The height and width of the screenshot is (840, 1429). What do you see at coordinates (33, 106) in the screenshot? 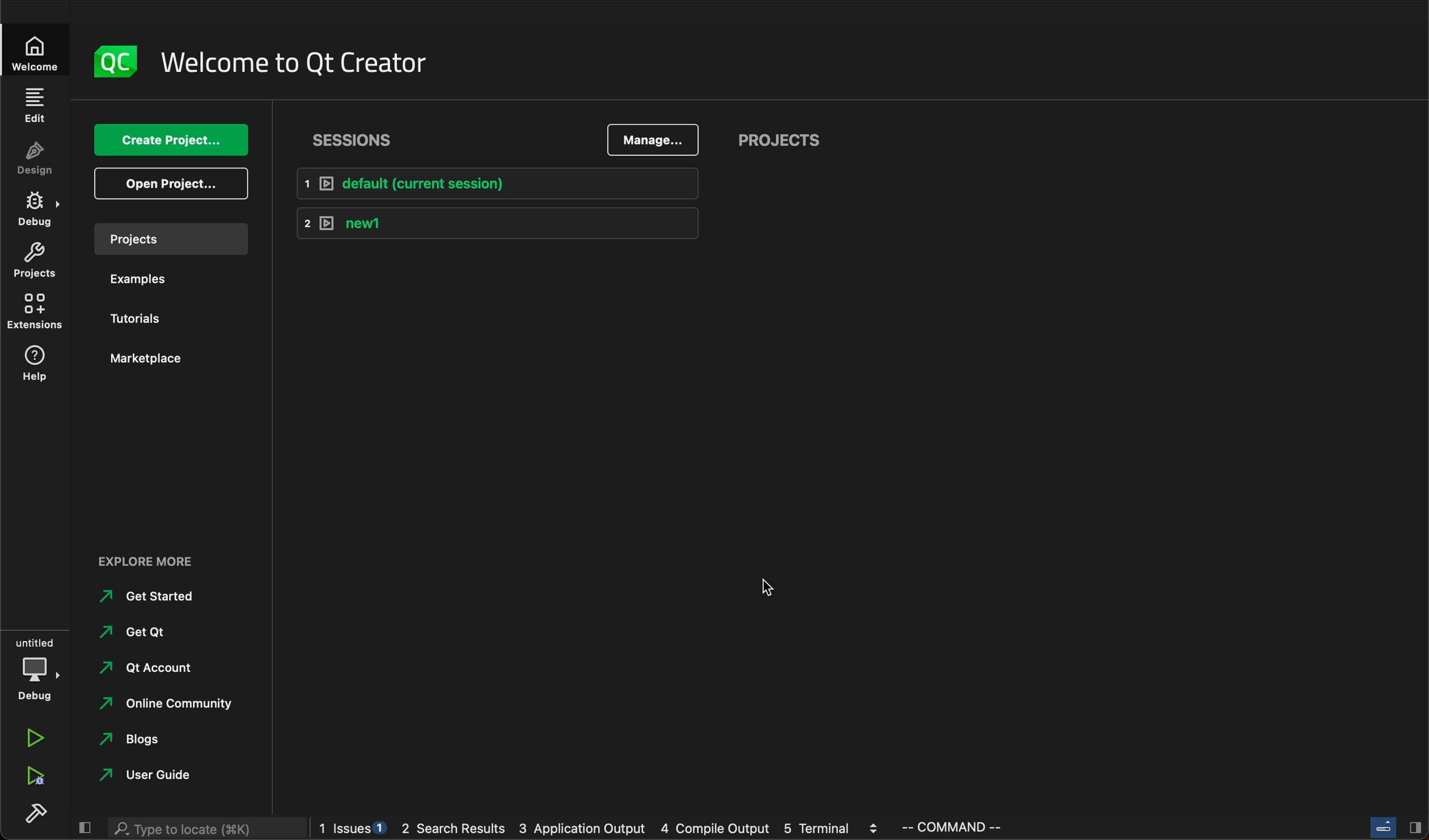
I see `edit` at bounding box center [33, 106].